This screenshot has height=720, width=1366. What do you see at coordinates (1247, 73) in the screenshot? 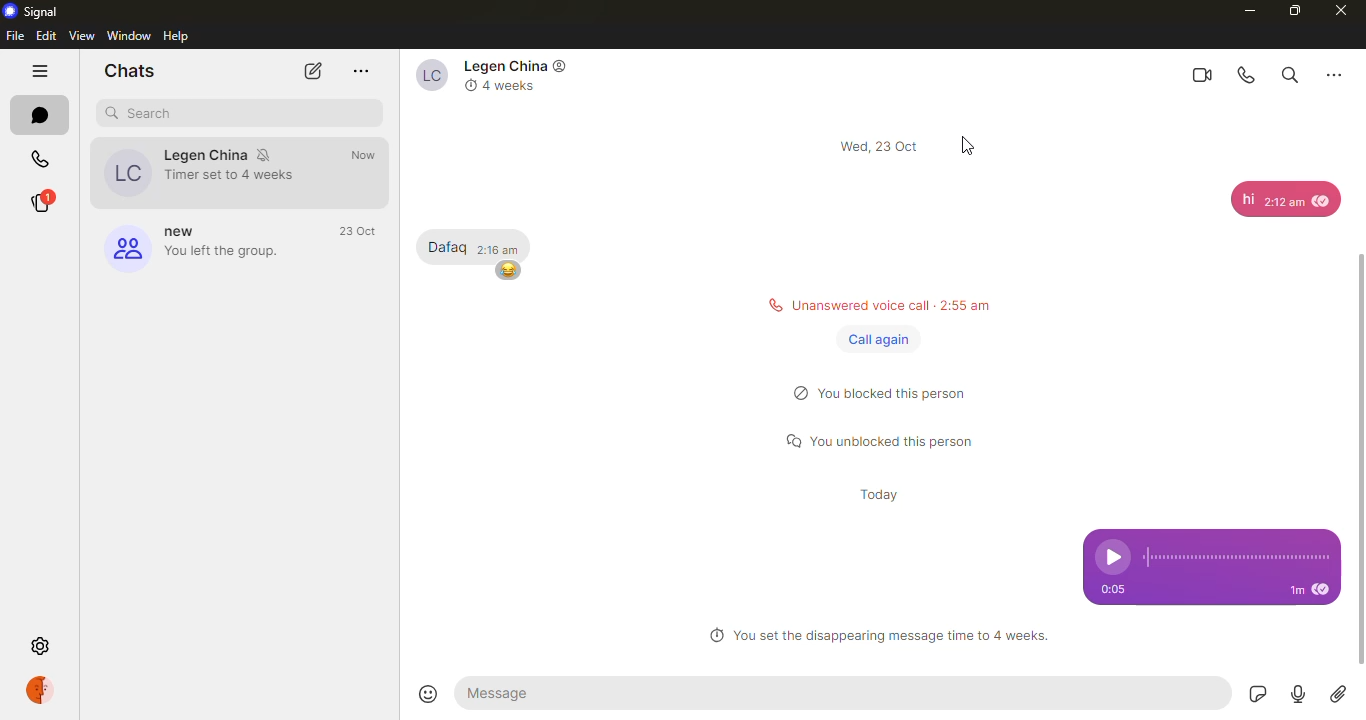
I see `voice call` at bounding box center [1247, 73].